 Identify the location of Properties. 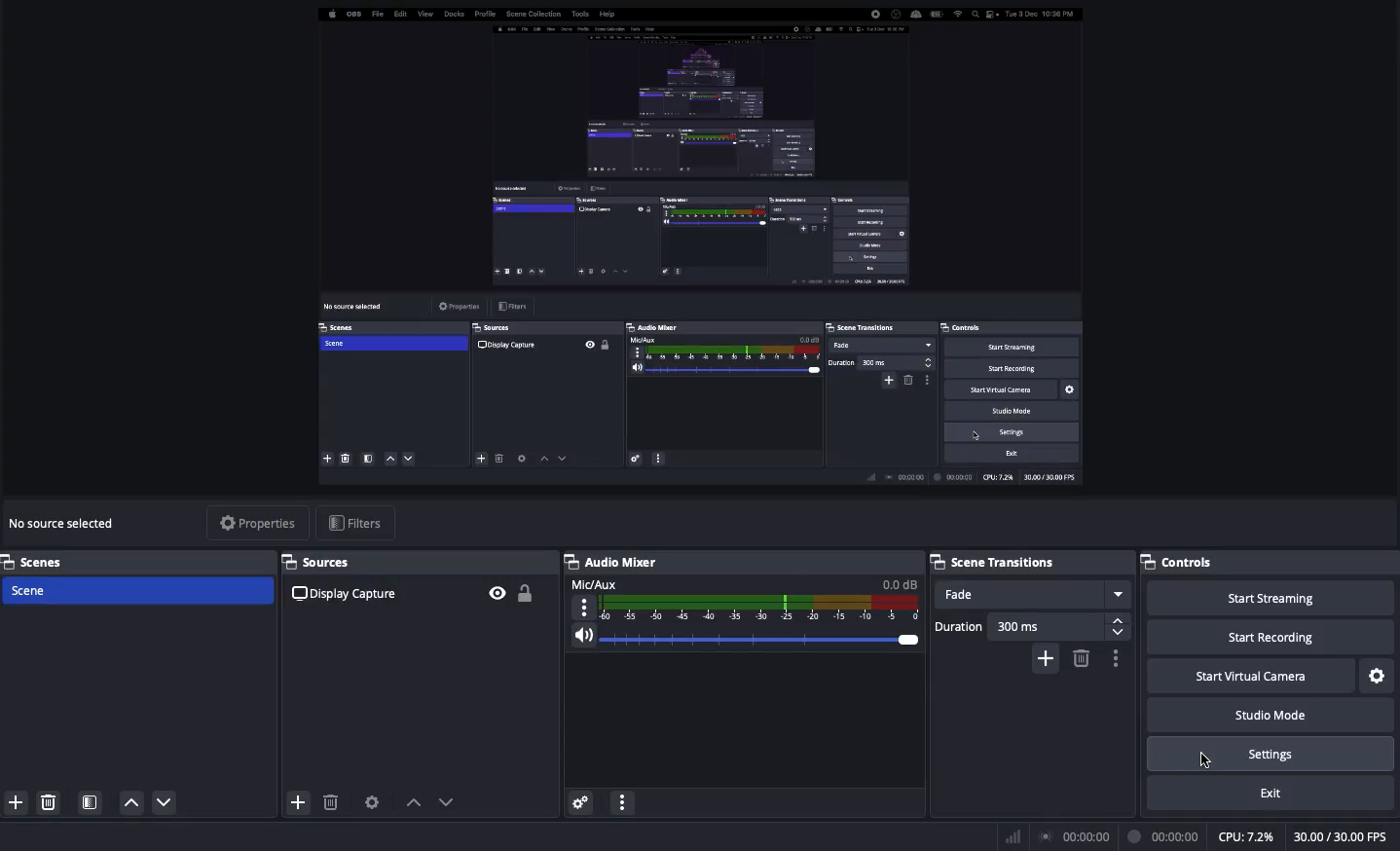
(261, 523).